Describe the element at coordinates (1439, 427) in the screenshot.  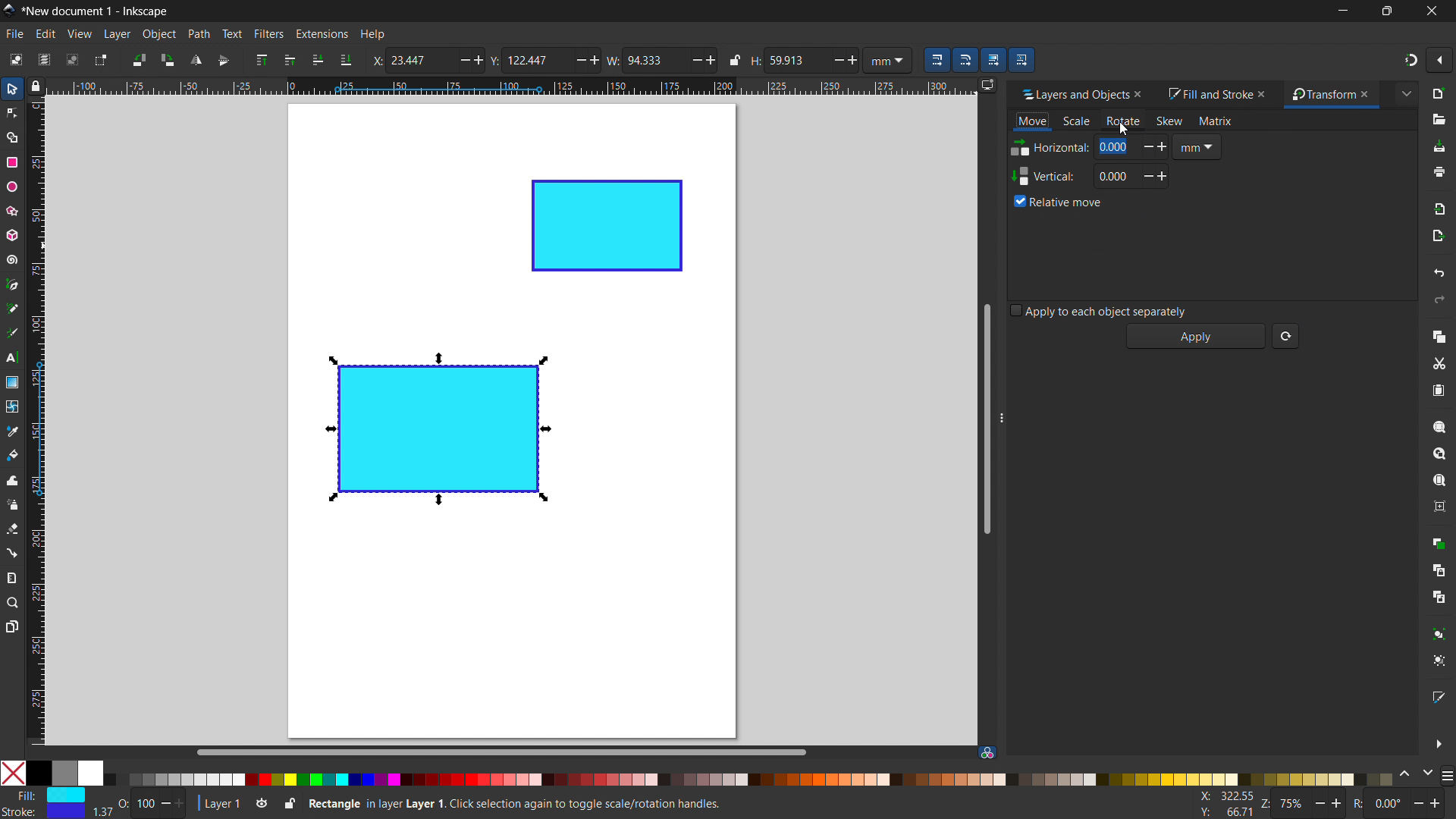
I see `zoom selection` at that location.